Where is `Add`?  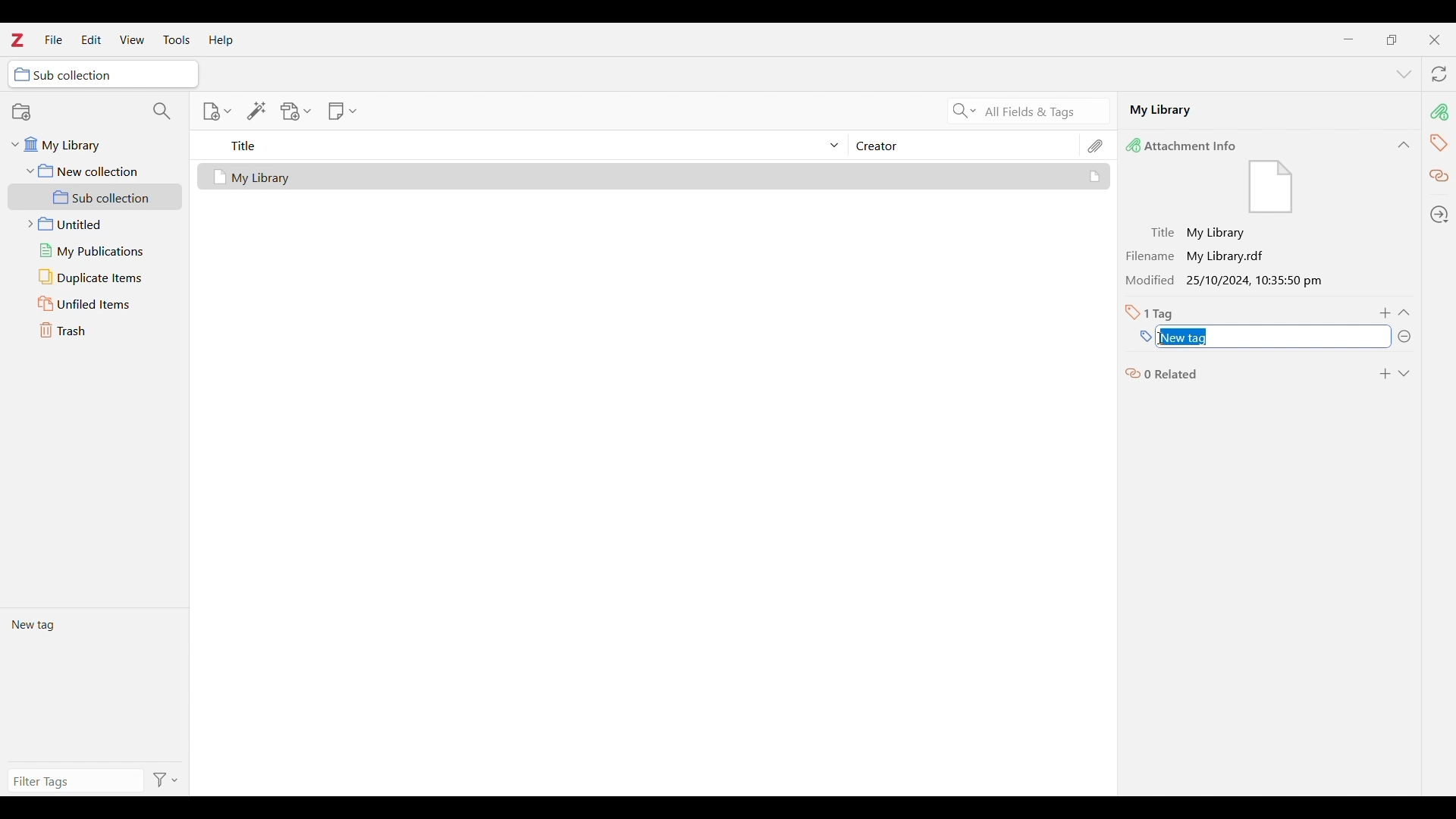 Add is located at coordinates (1385, 374).